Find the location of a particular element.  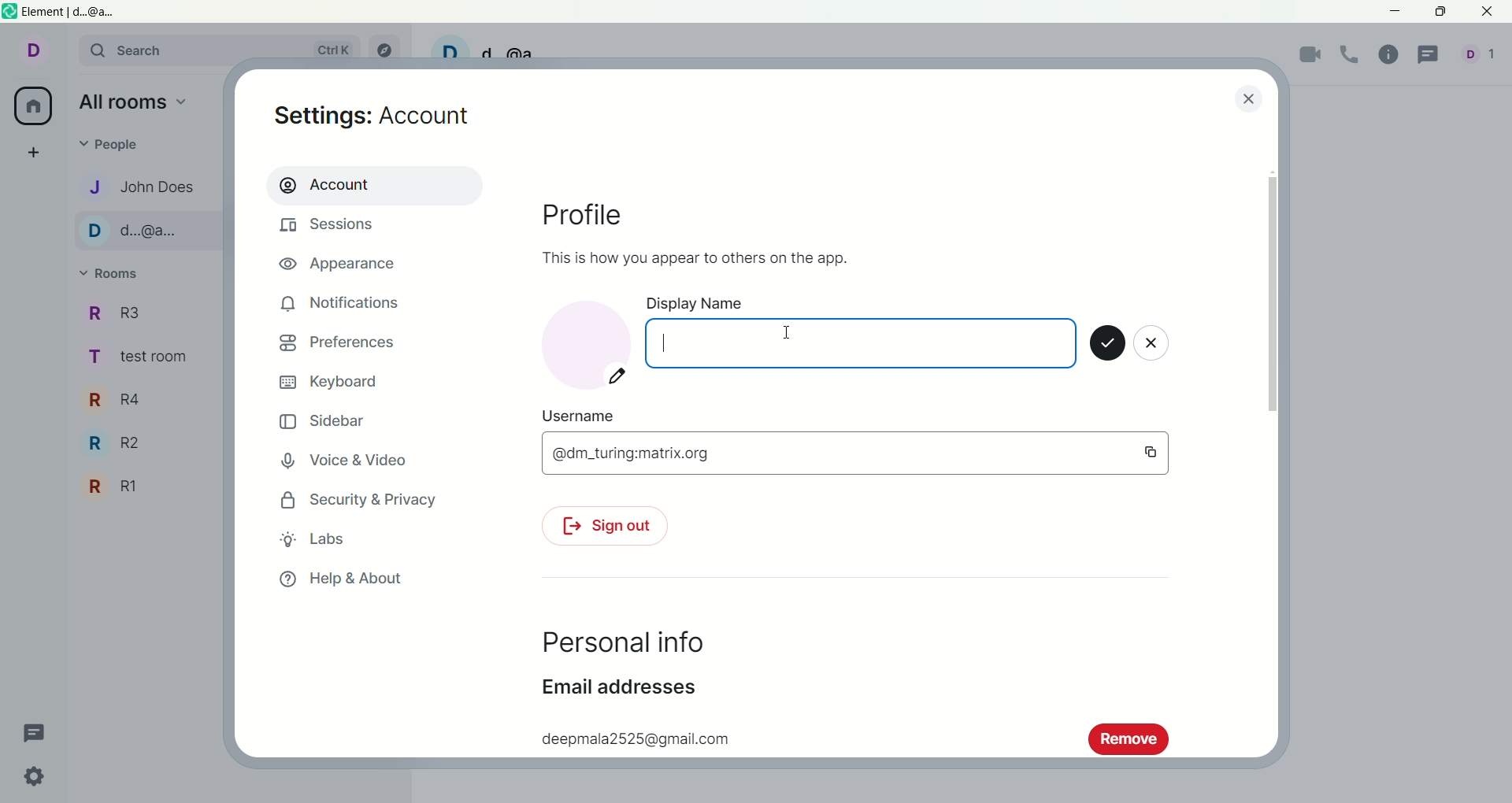

profile is located at coordinates (597, 219).